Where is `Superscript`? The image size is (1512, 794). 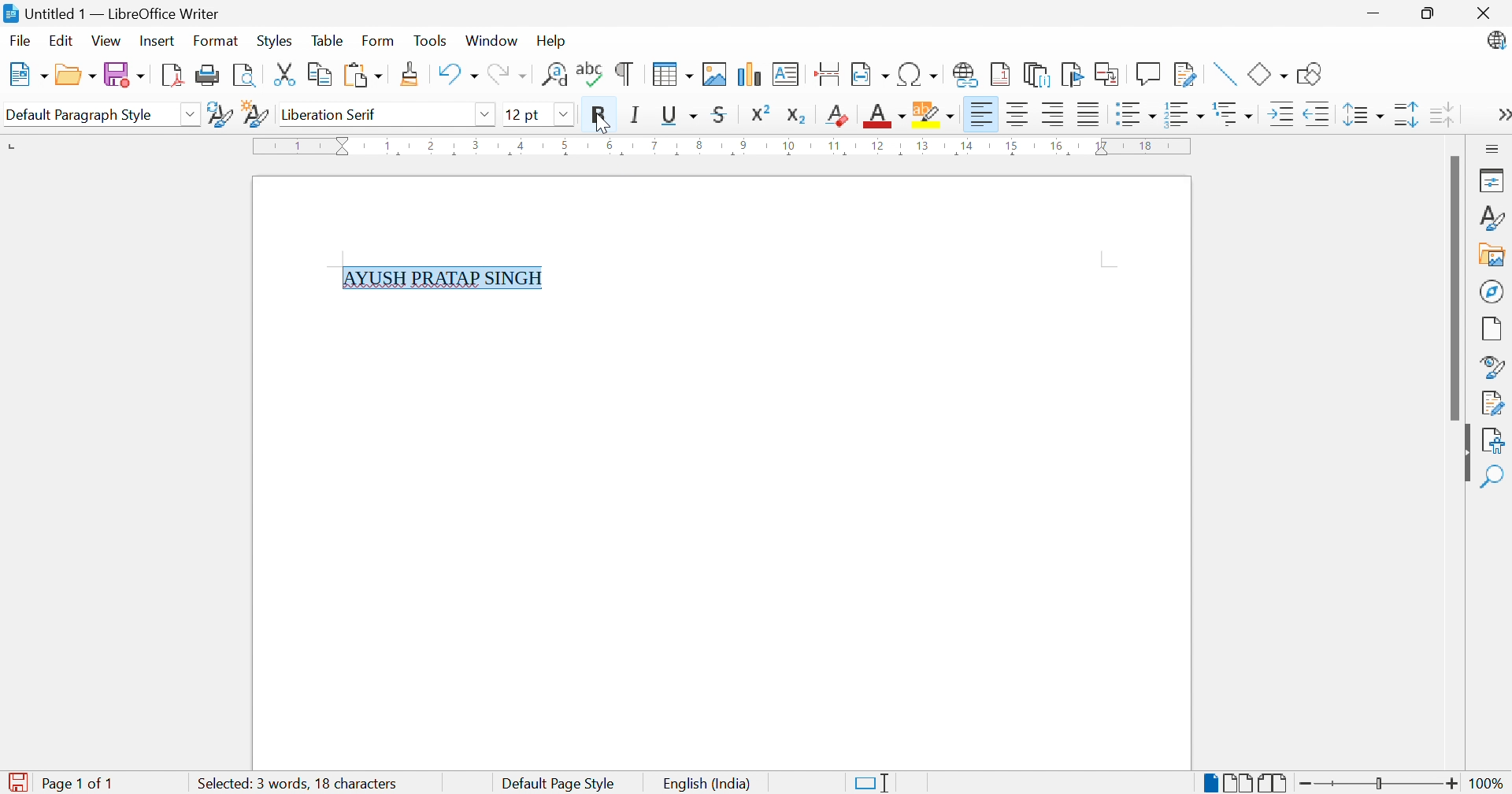 Superscript is located at coordinates (759, 113).